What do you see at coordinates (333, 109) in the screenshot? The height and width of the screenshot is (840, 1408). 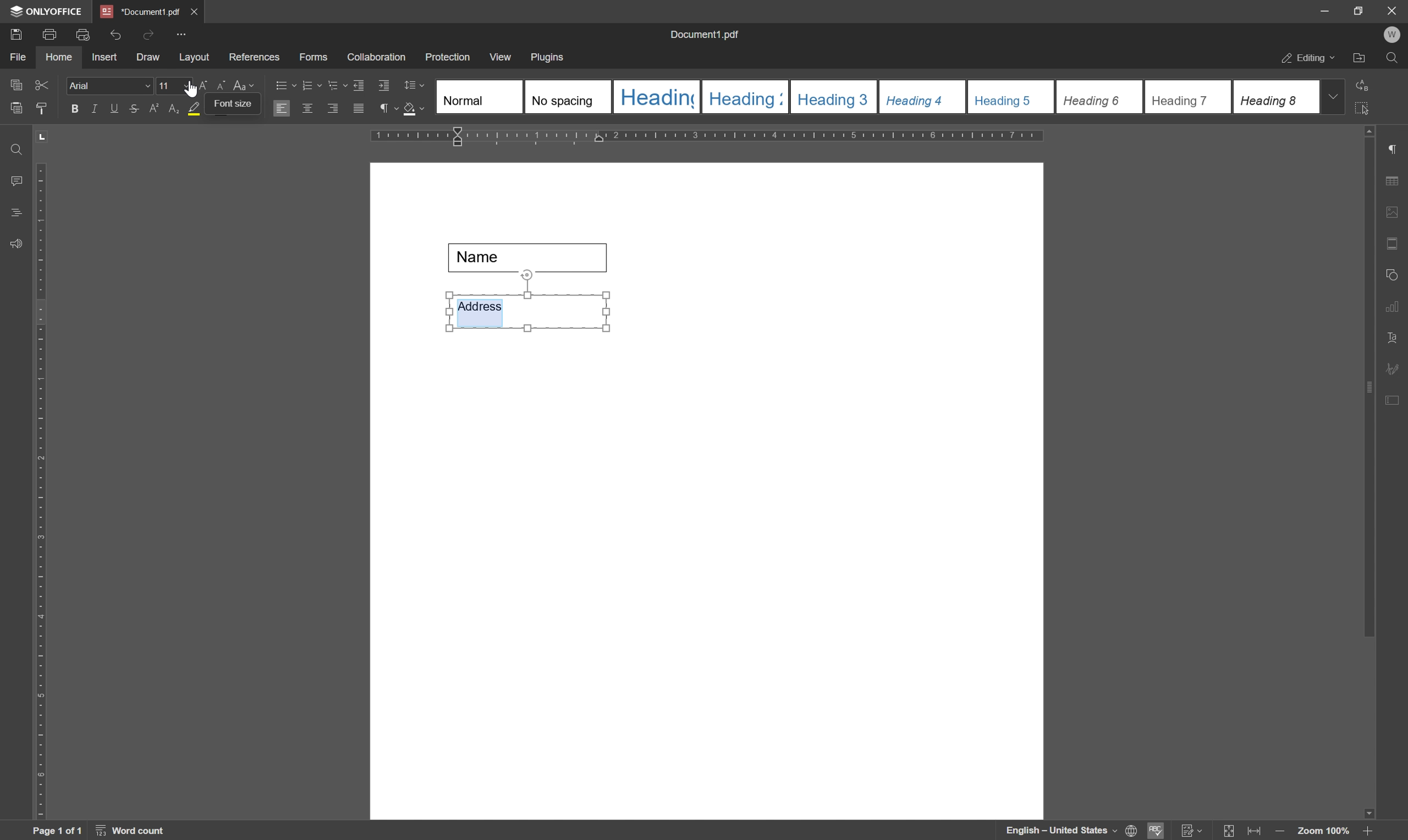 I see `Align right` at bounding box center [333, 109].